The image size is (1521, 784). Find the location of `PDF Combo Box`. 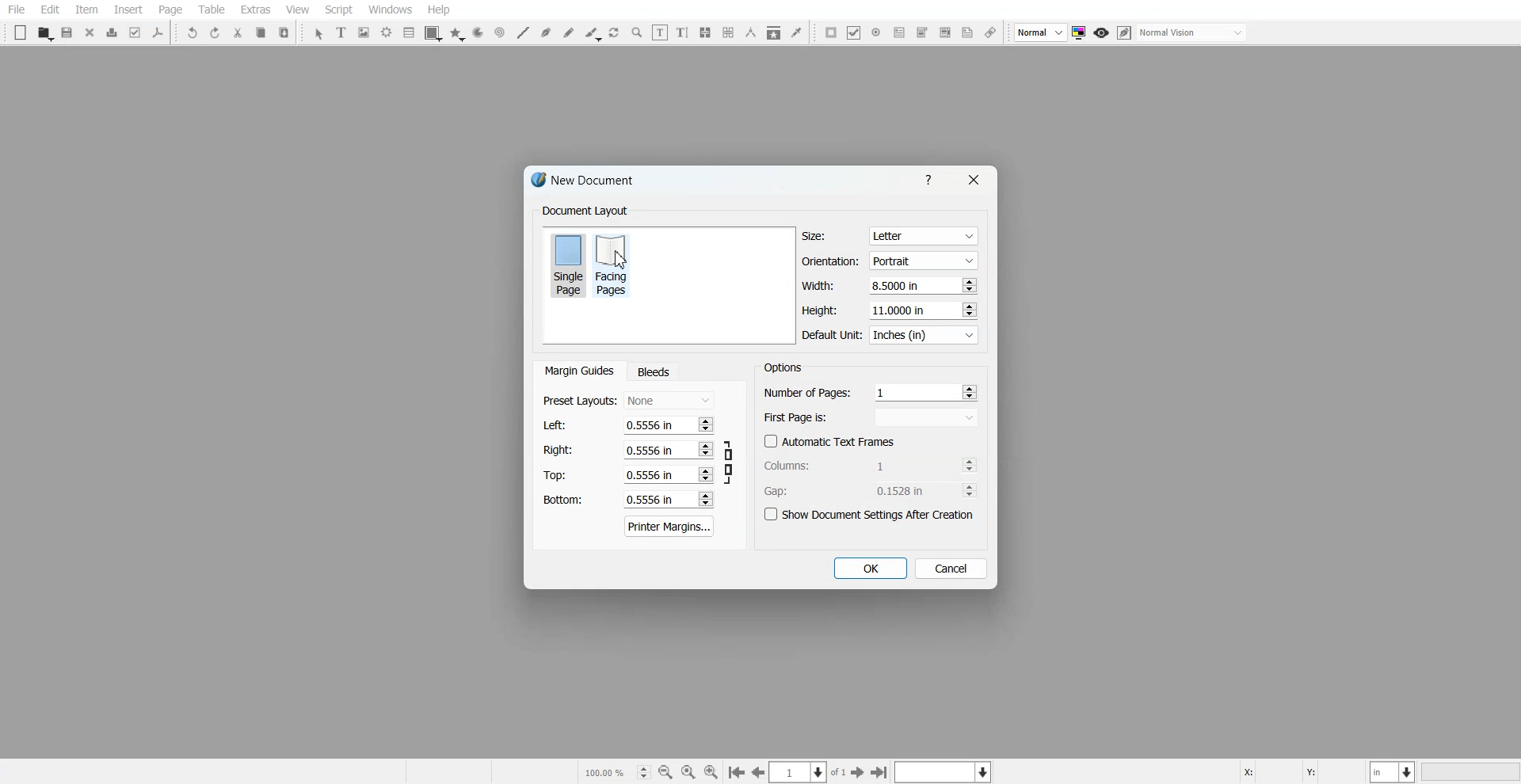

PDF Combo Box is located at coordinates (921, 32).